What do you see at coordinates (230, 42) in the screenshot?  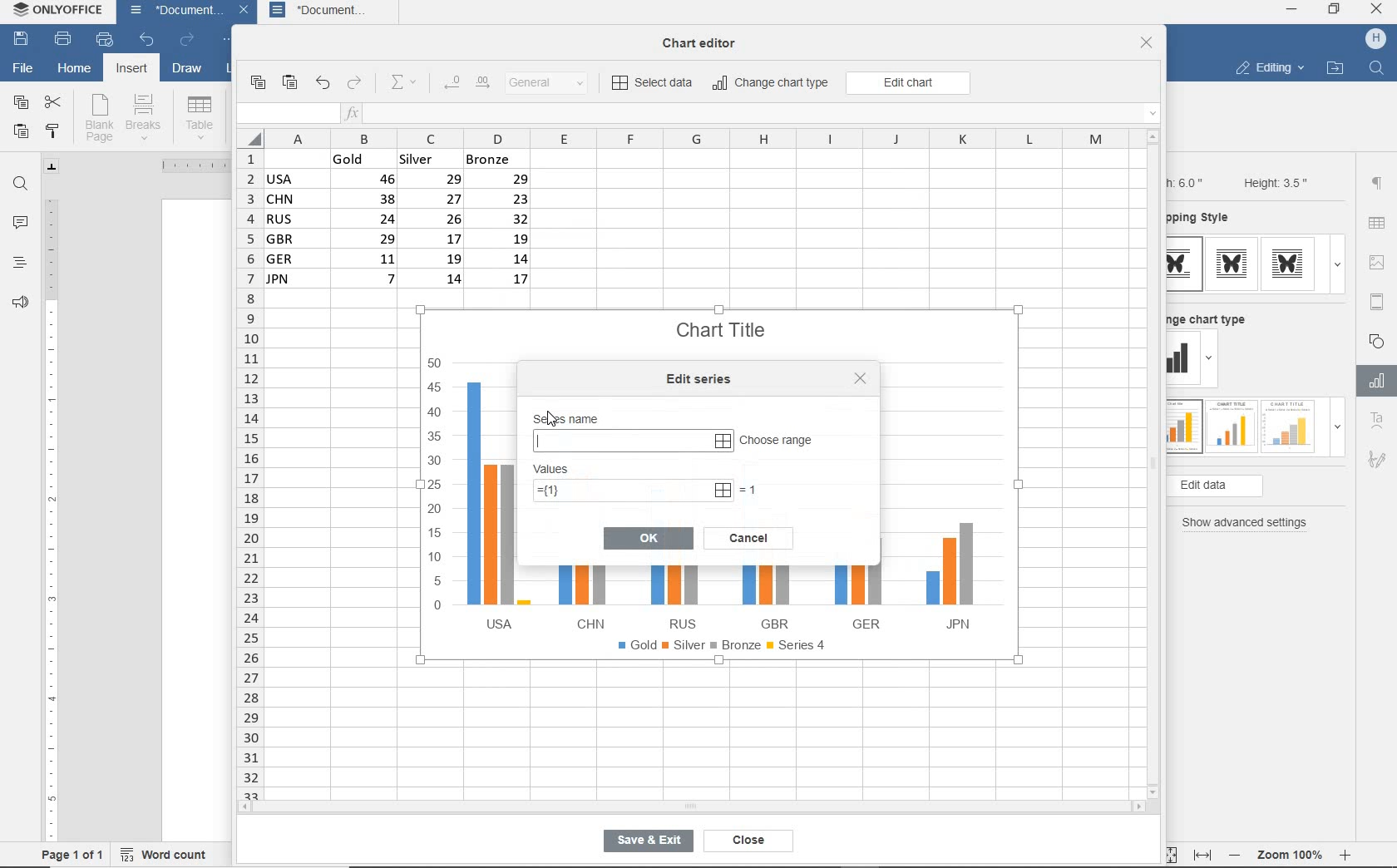 I see `customize quick access toolbar` at bounding box center [230, 42].